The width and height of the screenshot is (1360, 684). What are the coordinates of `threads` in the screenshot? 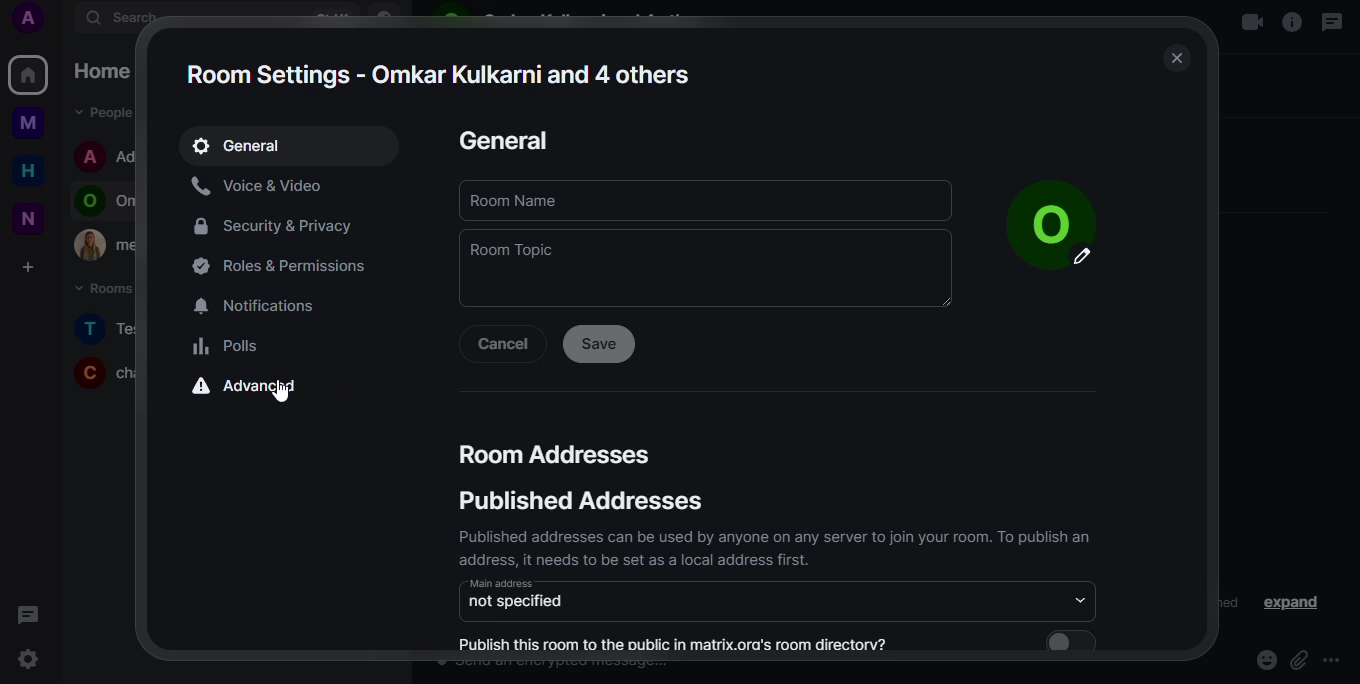 It's located at (32, 617).